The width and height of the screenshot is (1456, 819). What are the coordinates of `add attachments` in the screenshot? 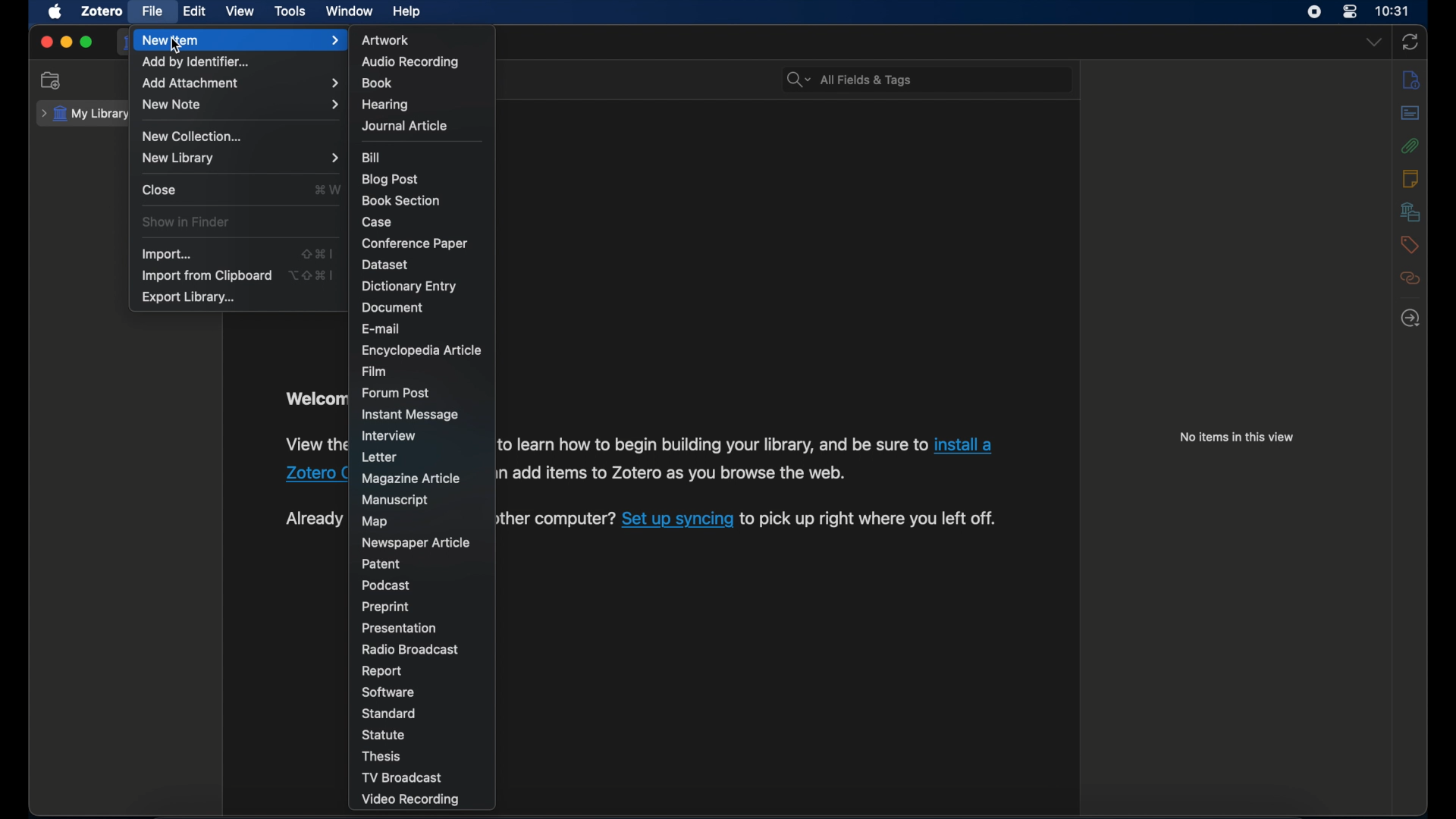 It's located at (240, 84).